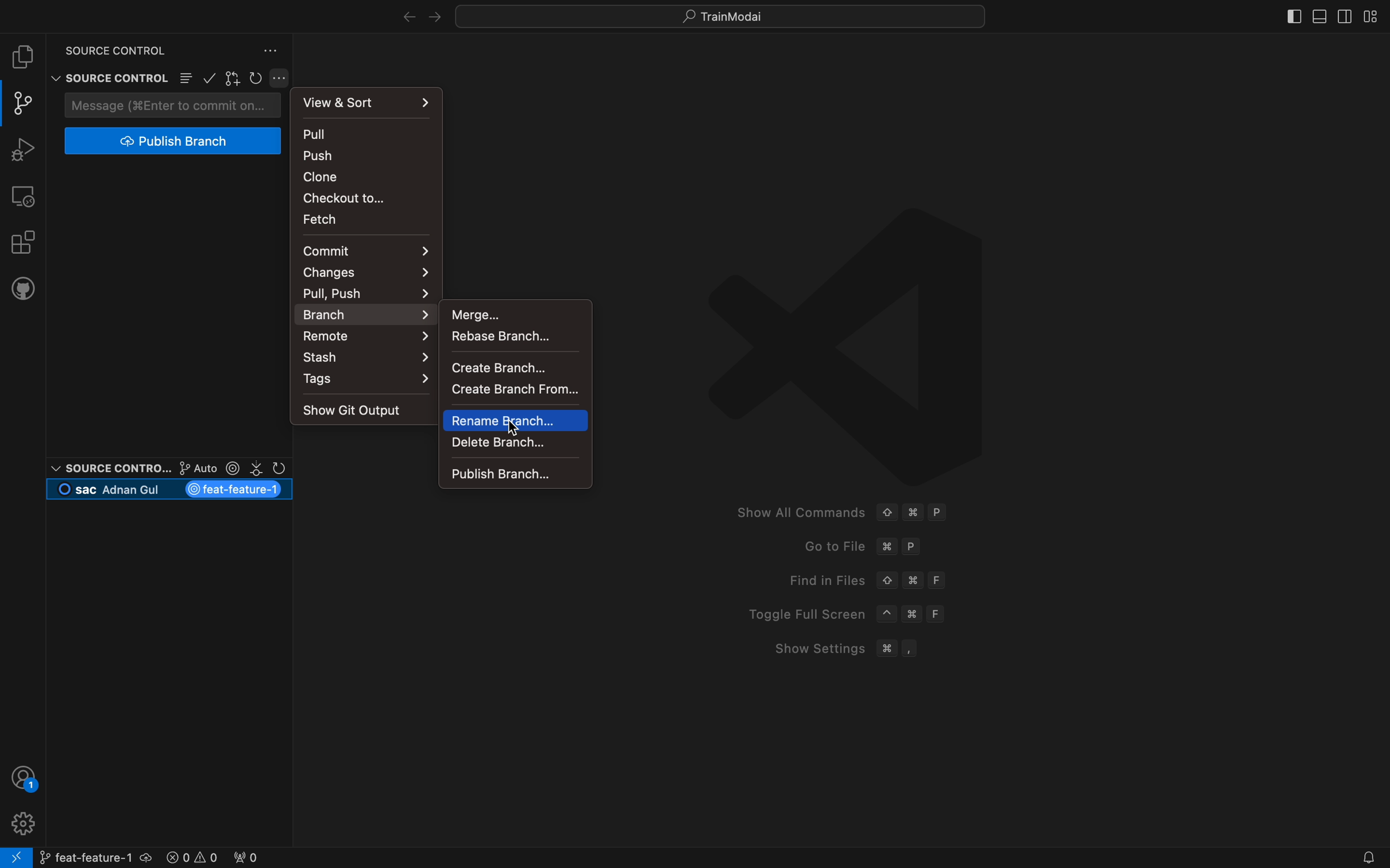  Describe the element at coordinates (519, 313) in the screenshot. I see `merge` at that location.